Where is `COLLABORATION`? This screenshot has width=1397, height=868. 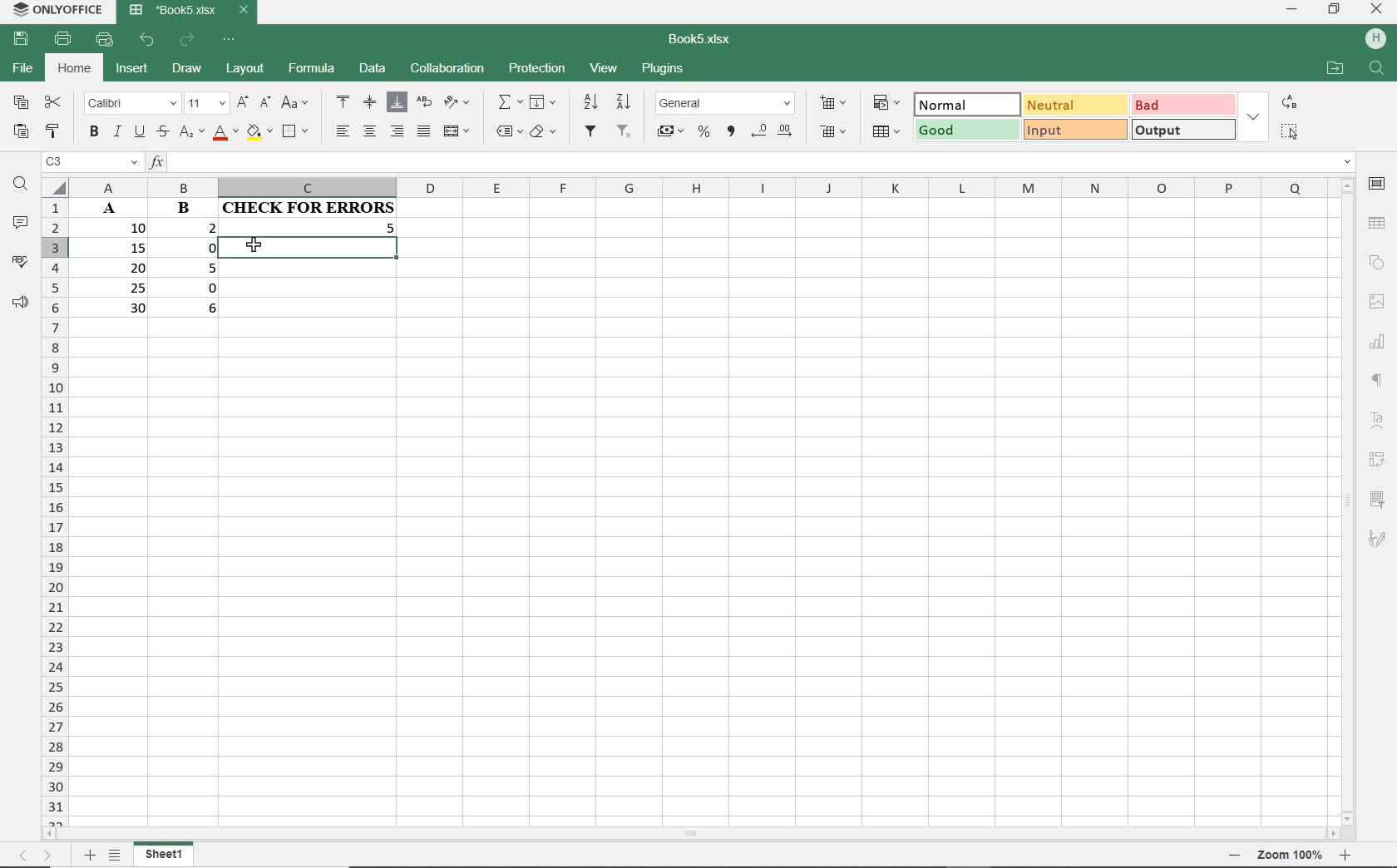
COLLABORATION is located at coordinates (446, 70).